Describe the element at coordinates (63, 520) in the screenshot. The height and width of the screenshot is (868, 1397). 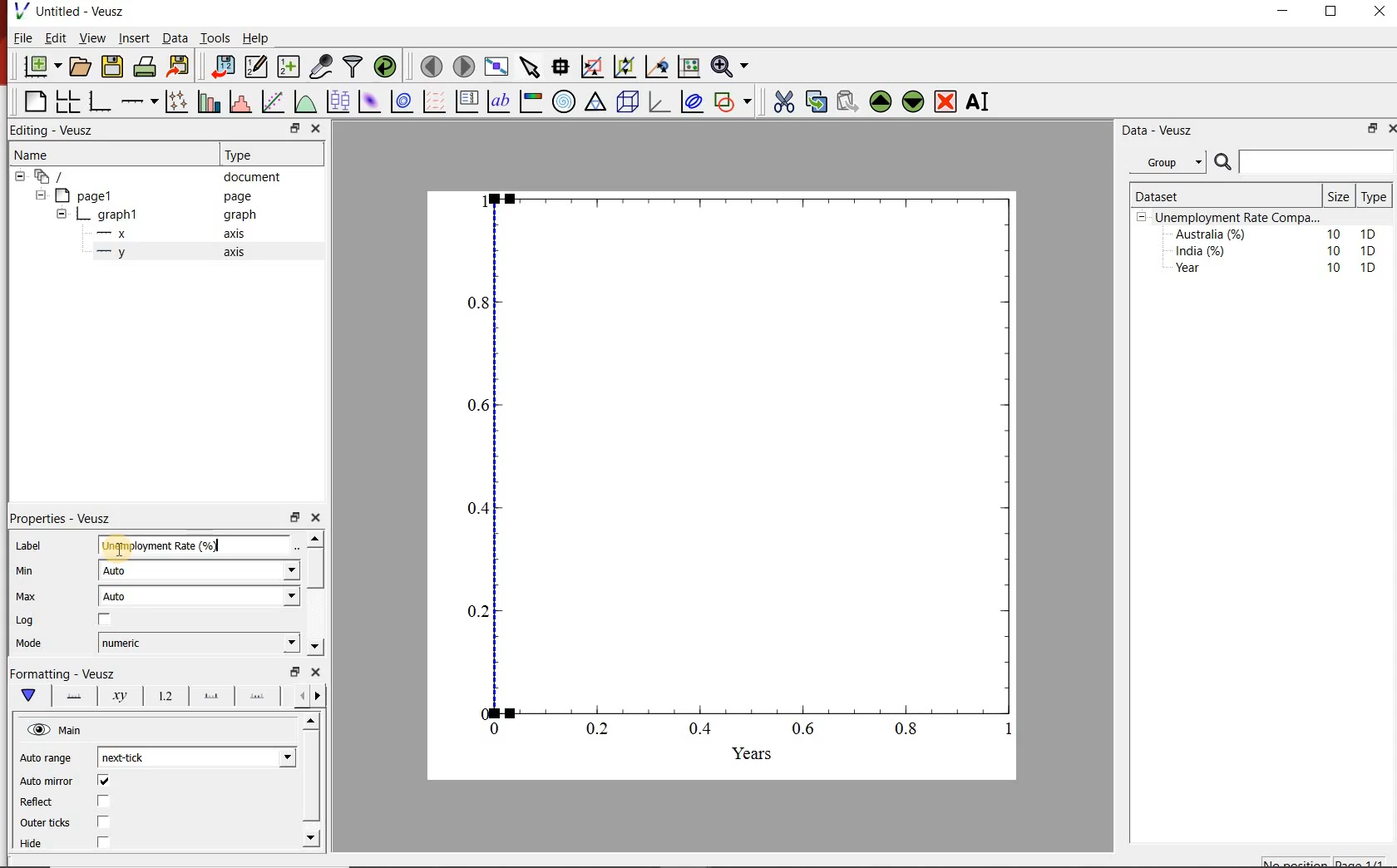
I see `Properties - Veusz` at that location.